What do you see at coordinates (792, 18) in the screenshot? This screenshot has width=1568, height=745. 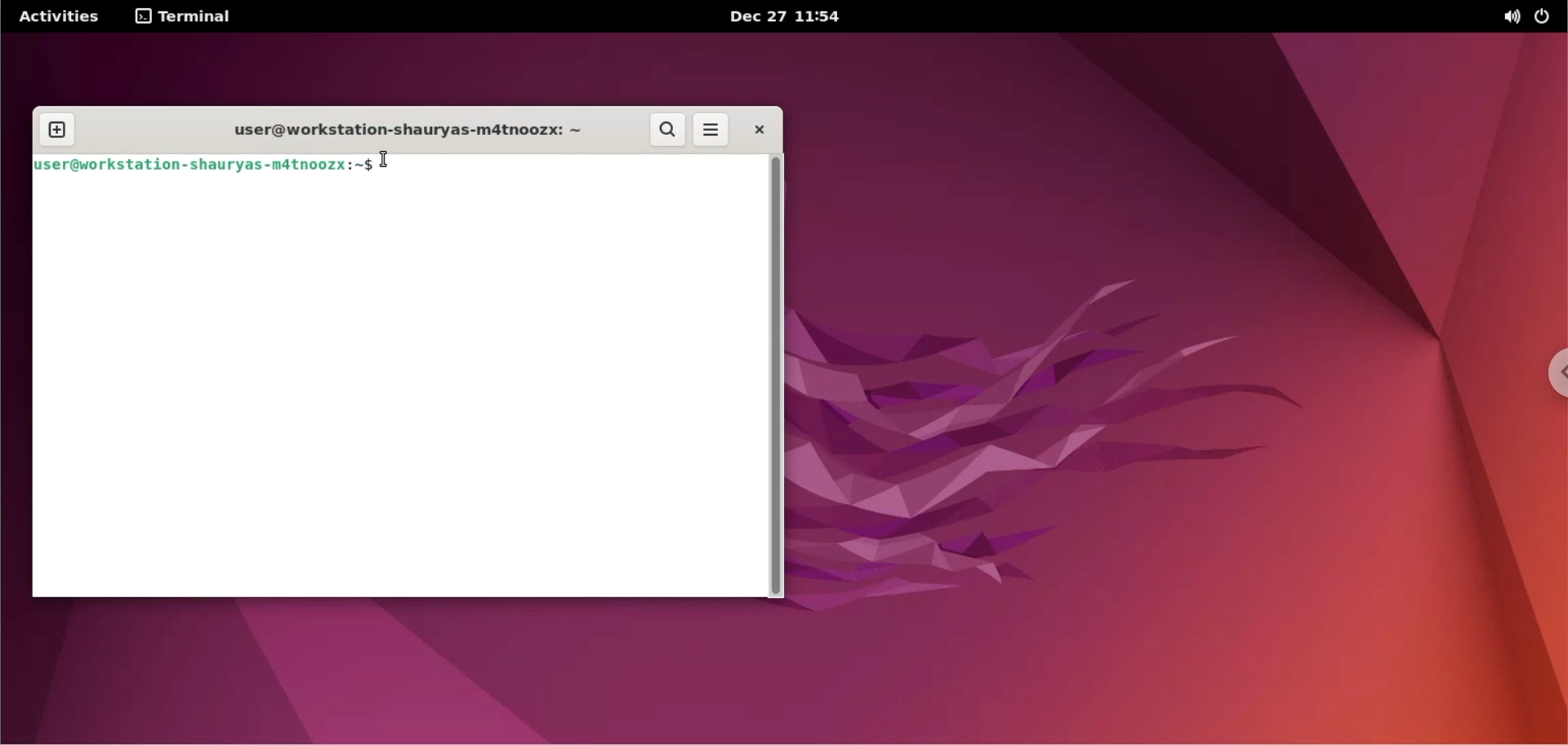 I see `date and time dec 27 11:54` at bounding box center [792, 18].